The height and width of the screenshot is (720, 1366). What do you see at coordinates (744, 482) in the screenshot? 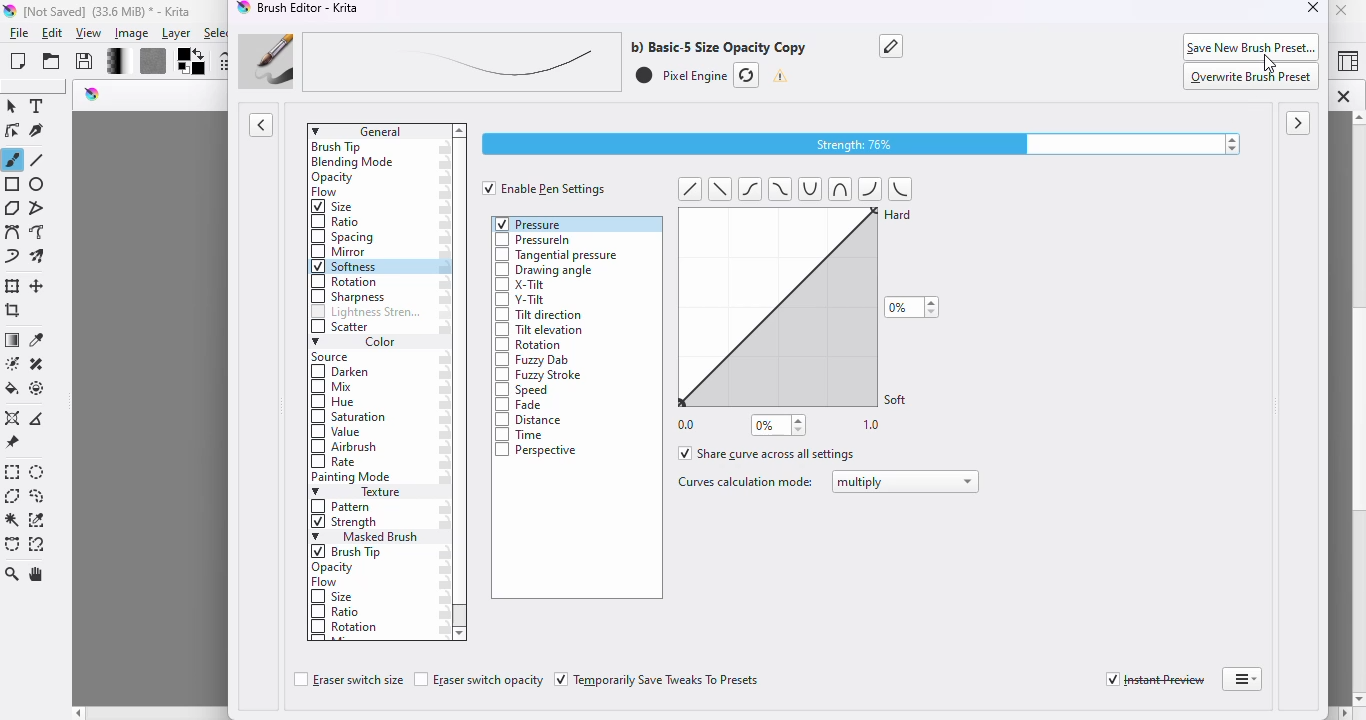
I see `curves calculation mode` at bounding box center [744, 482].